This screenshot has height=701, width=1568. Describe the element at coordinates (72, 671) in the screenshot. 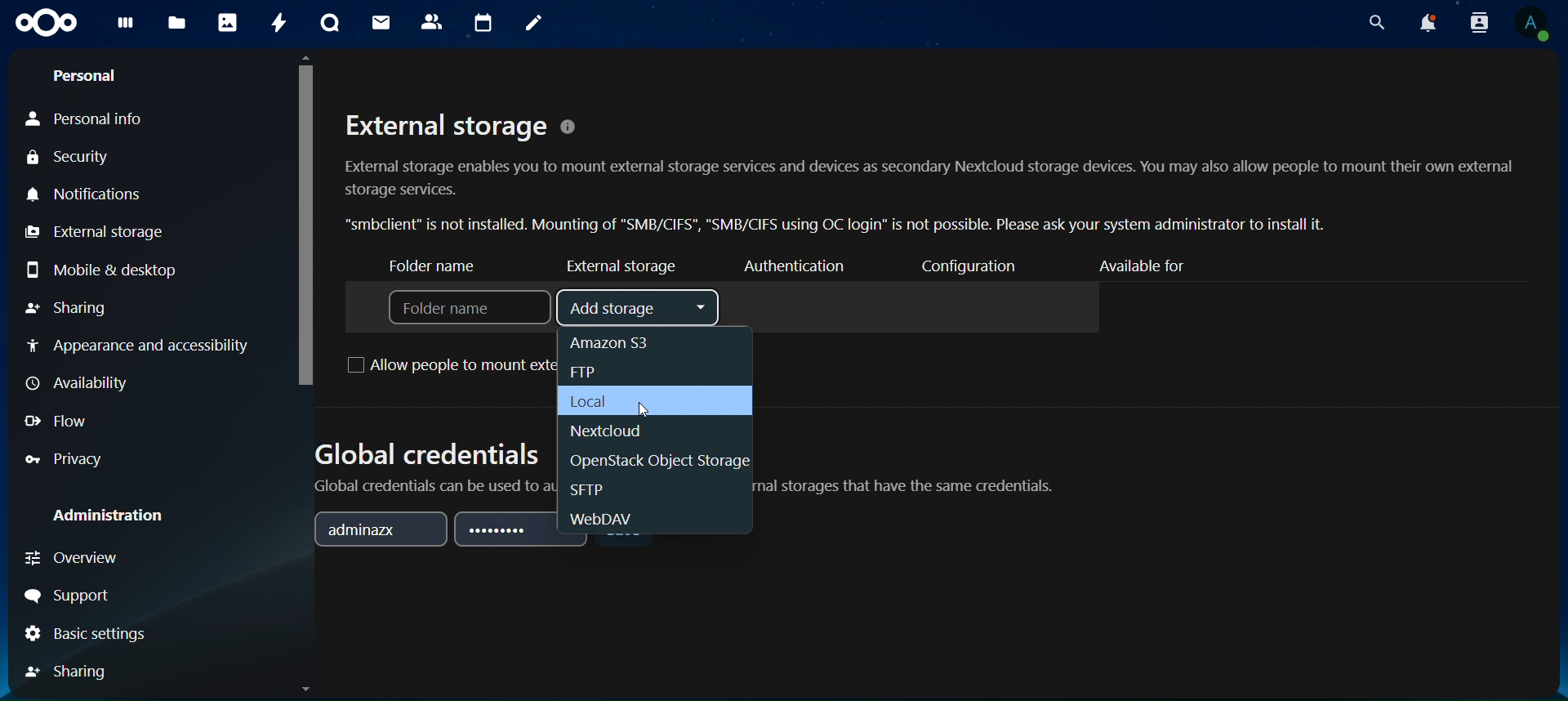

I see `sharing` at that location.